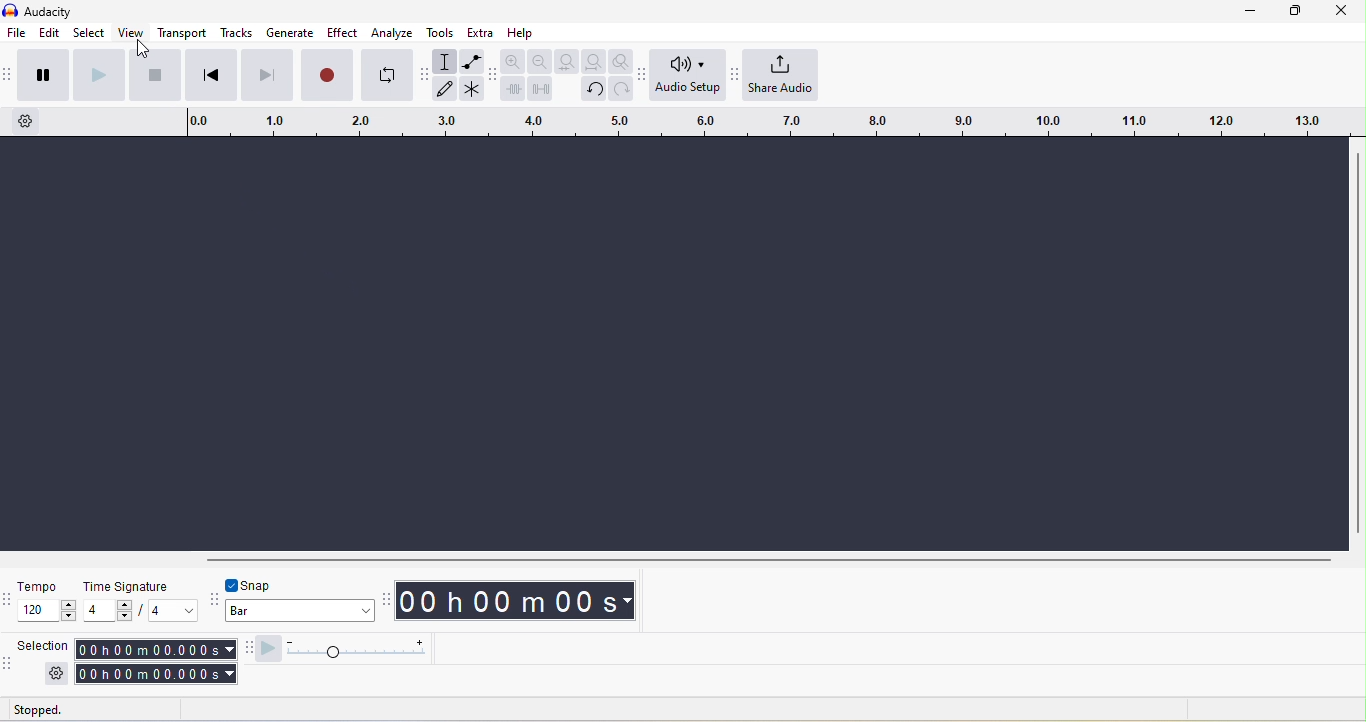 The width and height of the screenshot is (1366, 722). I want to click on undo, so click(594, 90).